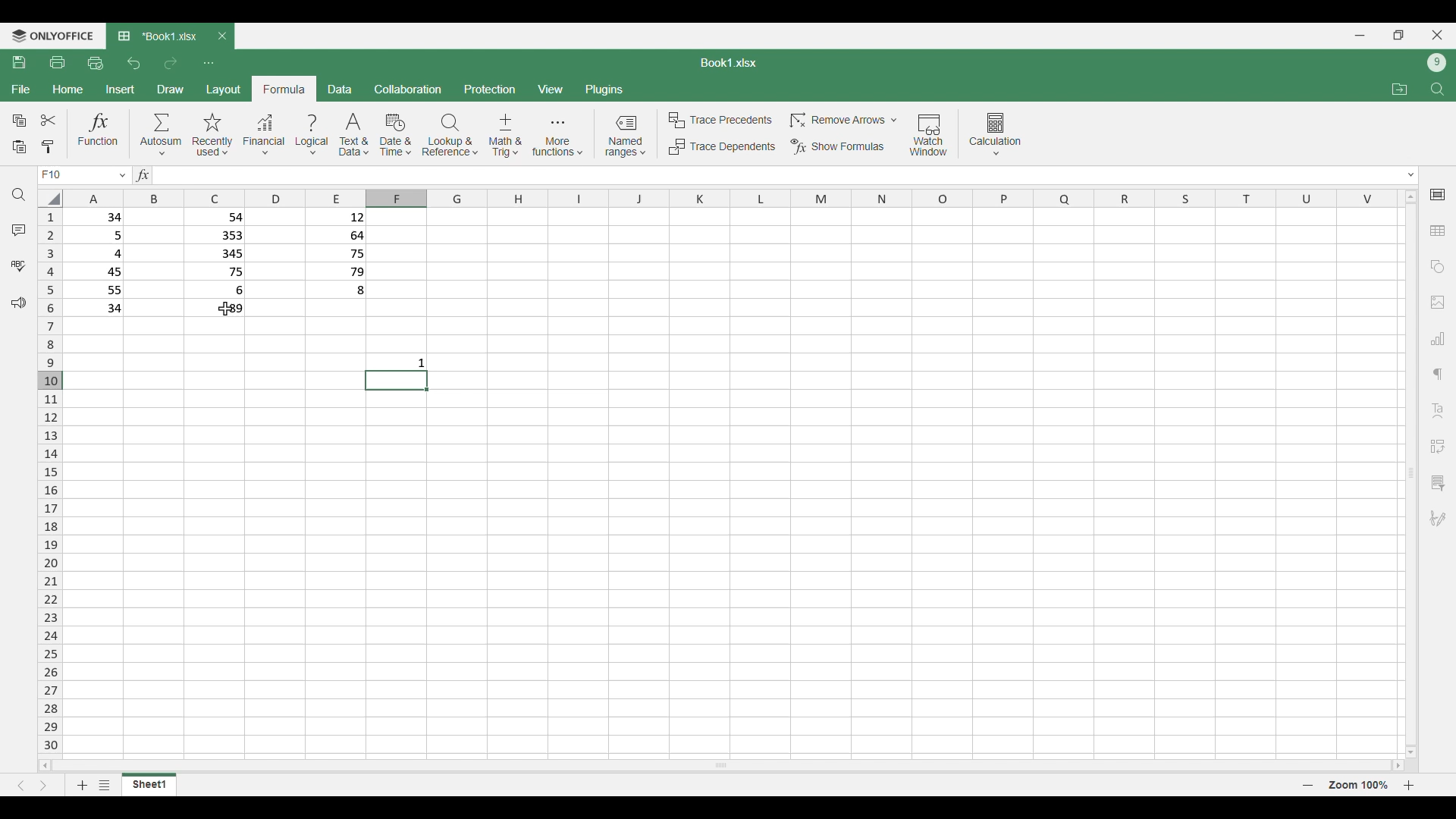  Describe the element at coordinates (1438, 519) in the screenshot. I see `Add digital signature or signature line` at that location.